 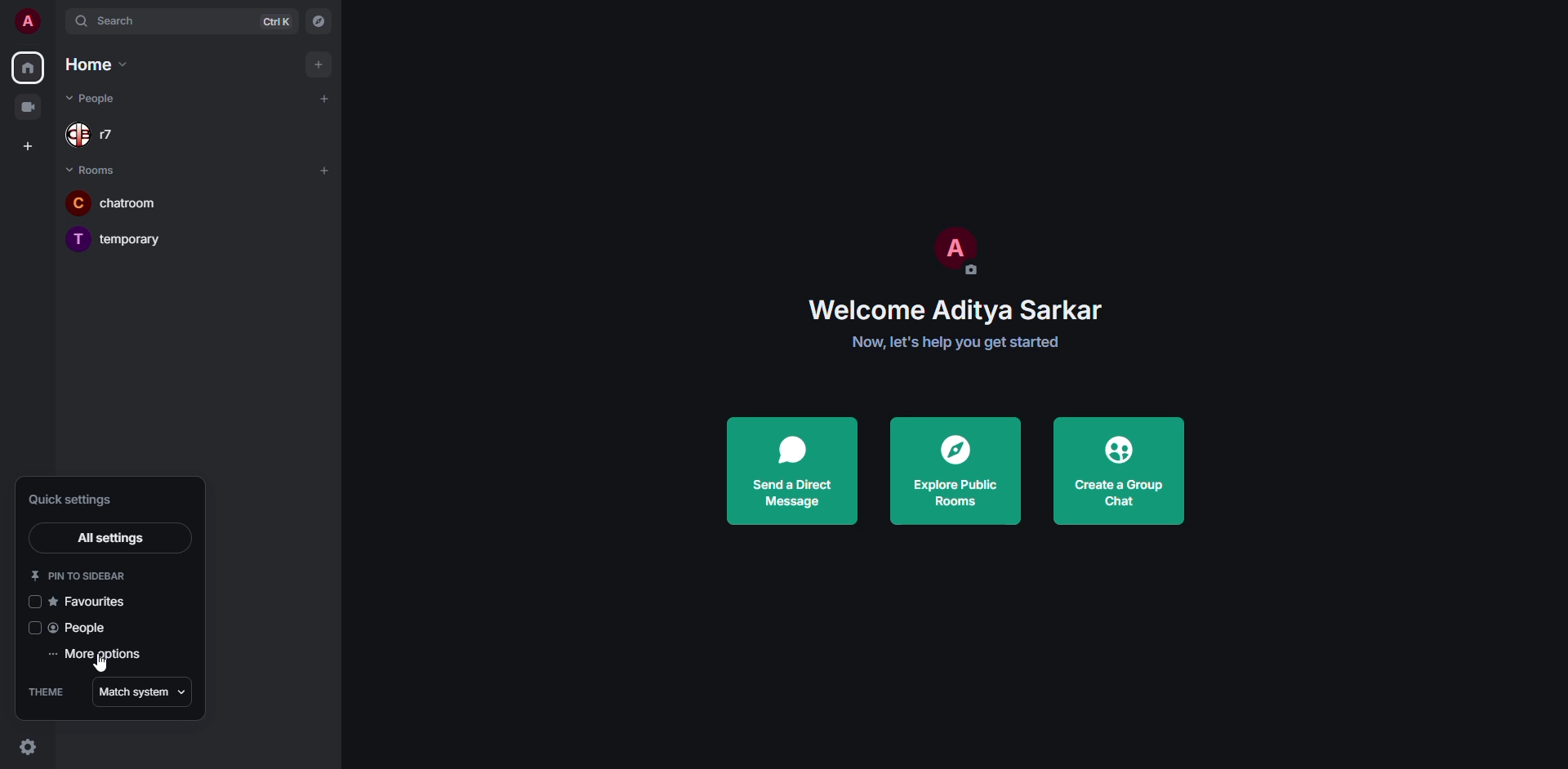 What do you see at coordinates (120, 238) in the screenshot?
I see `temporary` at bounding box center [120, 238].